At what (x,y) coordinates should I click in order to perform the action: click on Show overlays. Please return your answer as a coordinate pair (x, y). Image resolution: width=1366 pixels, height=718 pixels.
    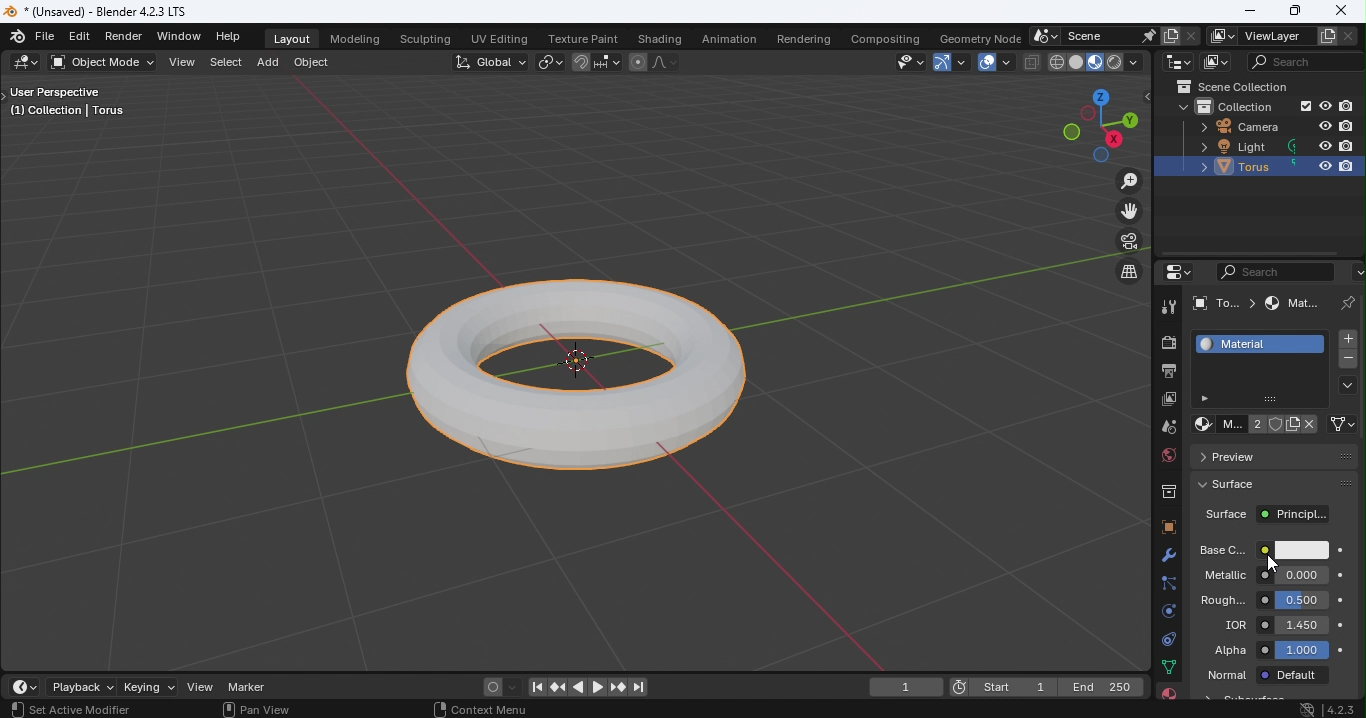
    Looking at the image, I should click on (996, 62).